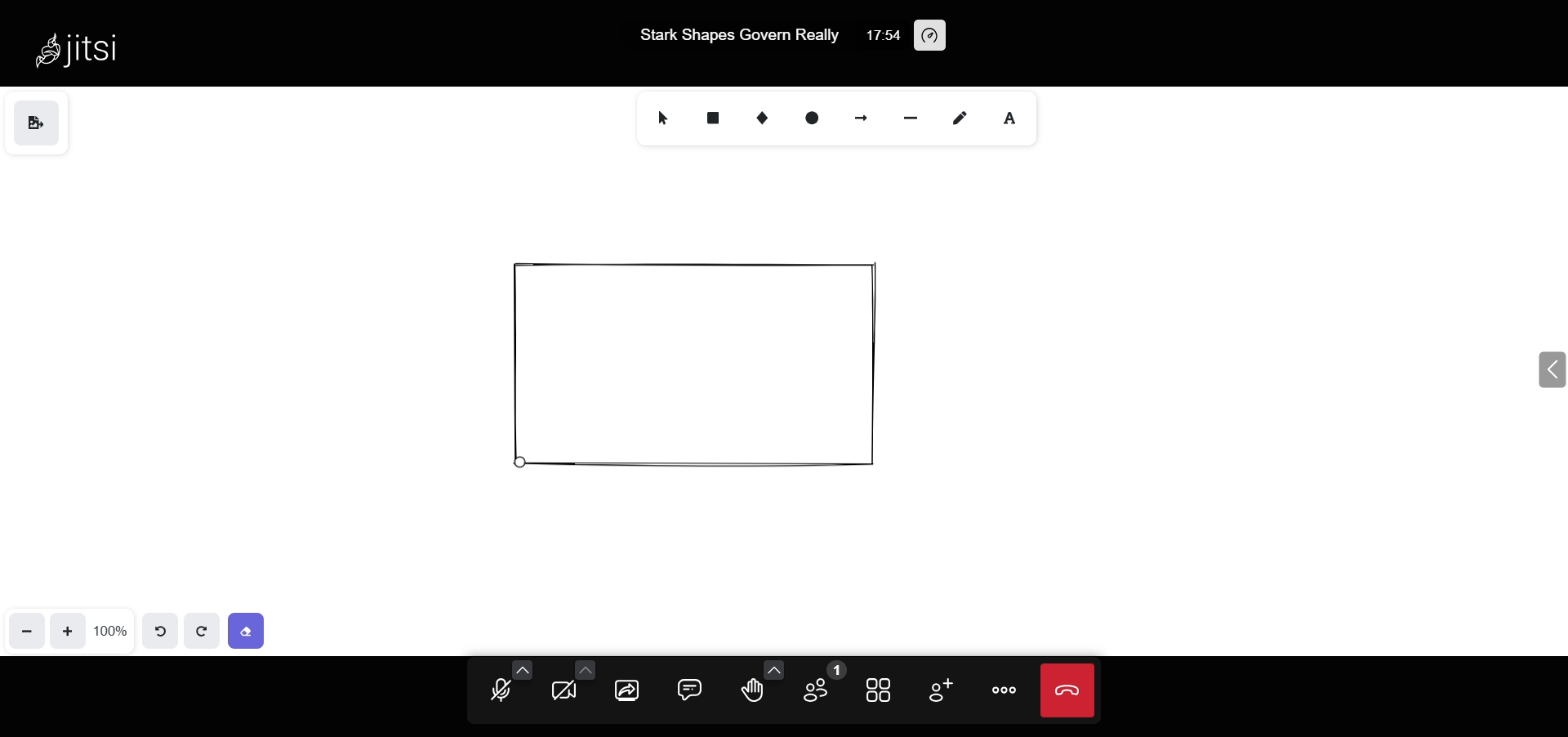  I want to click on leave call, so click(1067, 686).